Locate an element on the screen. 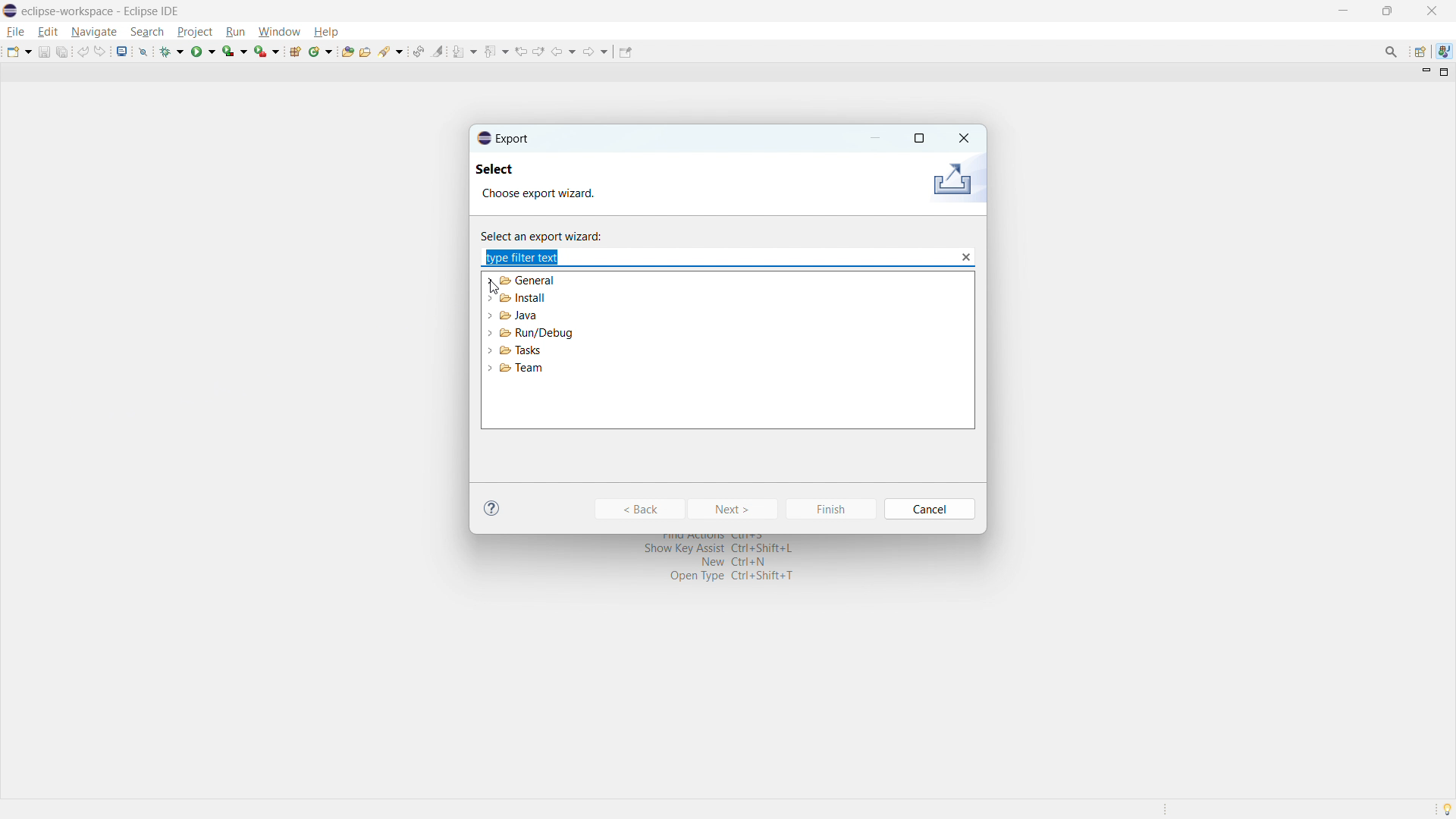 The height and width of the screenshot is (819, 1456). open console is located at coordinates (122, 51).